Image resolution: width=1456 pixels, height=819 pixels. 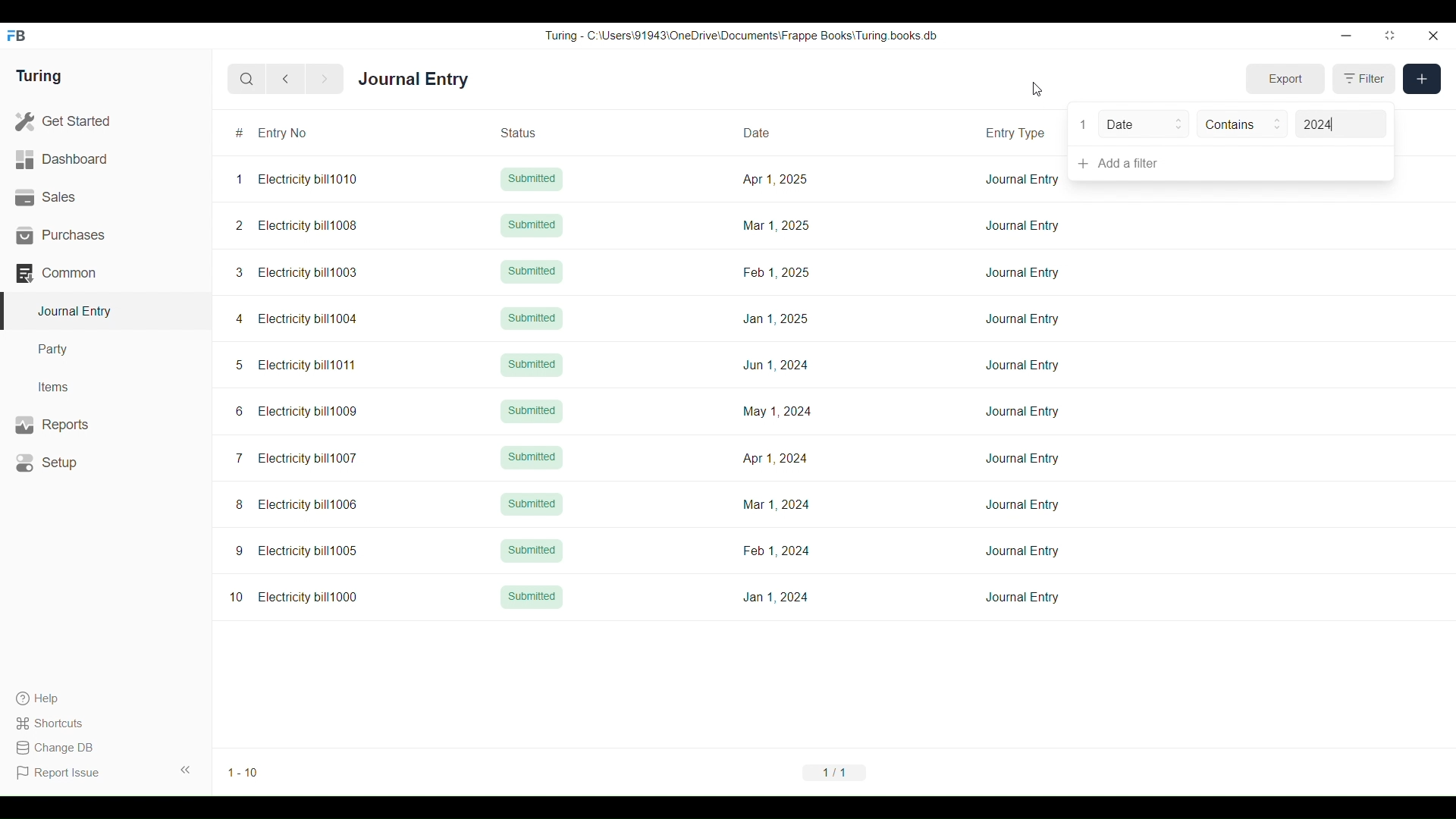 What do you see at coordinates (1021, 598) in the screenshot?
I see `Journal Entry` at bounding box center [1021, 598].